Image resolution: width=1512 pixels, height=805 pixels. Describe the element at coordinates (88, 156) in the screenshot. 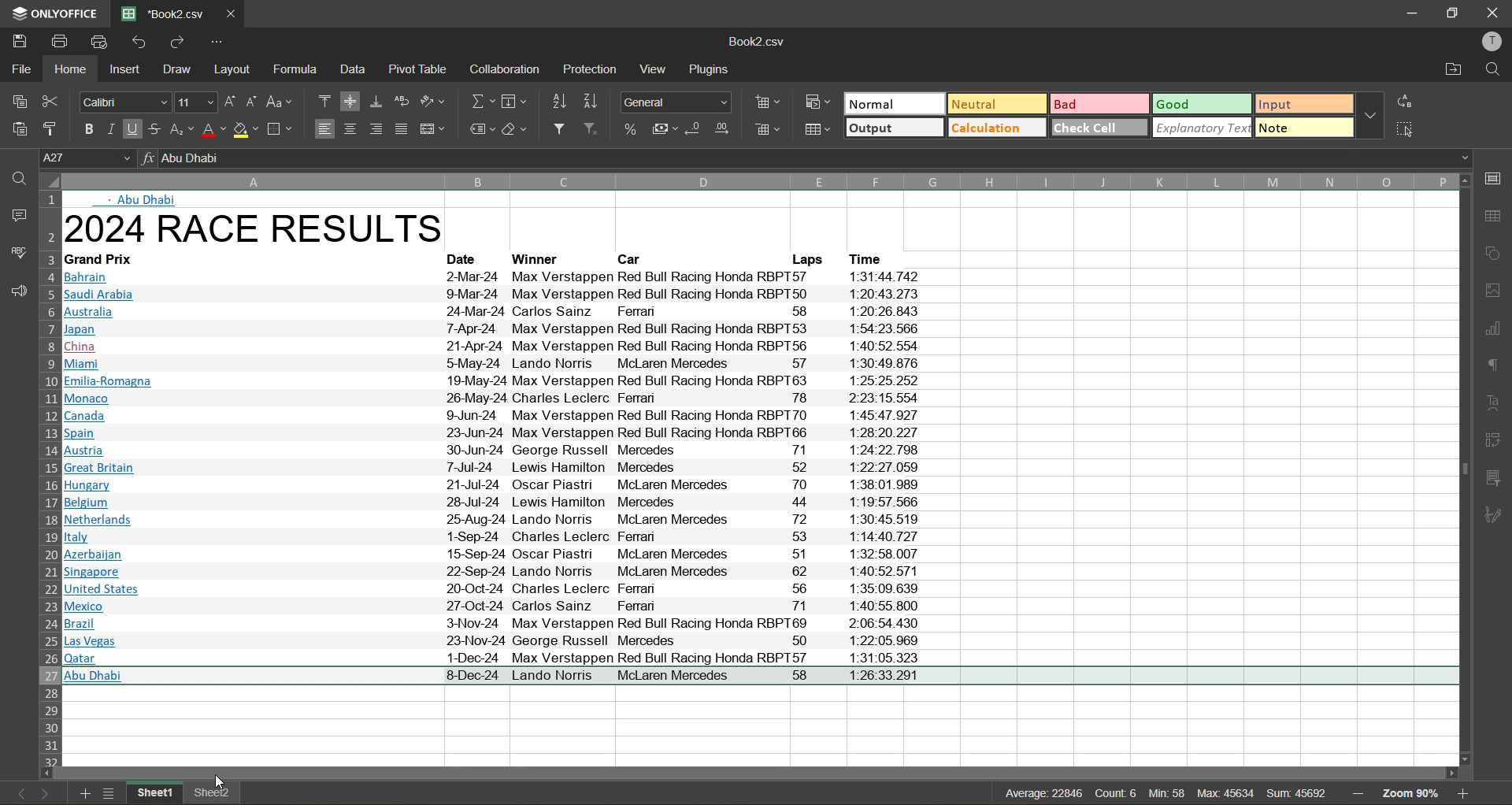

I see `cell address` at that location.